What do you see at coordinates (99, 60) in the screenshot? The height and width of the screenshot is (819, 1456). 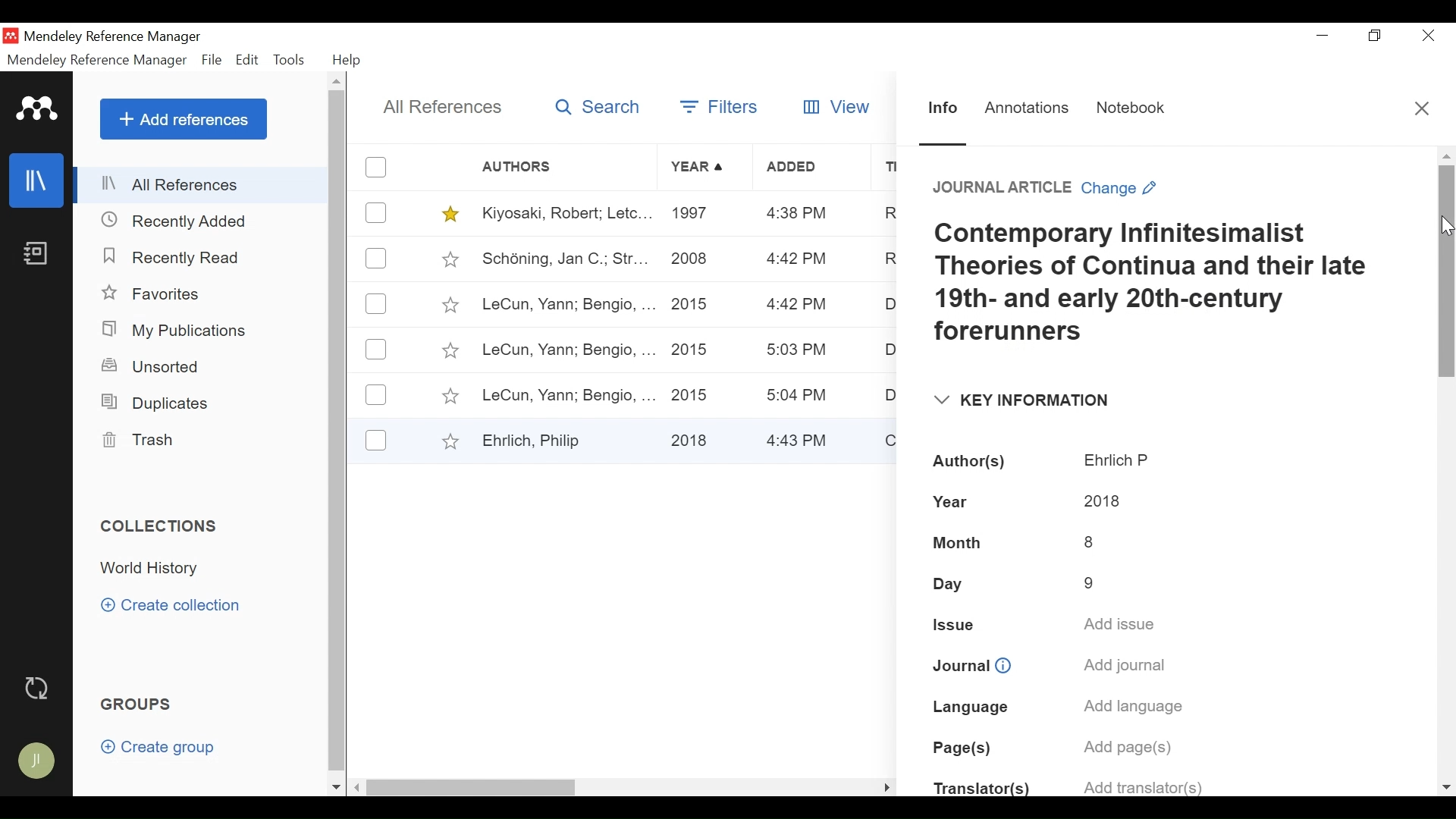 I see `Mendeley Reference Manager` at bounding box center [99, 60].